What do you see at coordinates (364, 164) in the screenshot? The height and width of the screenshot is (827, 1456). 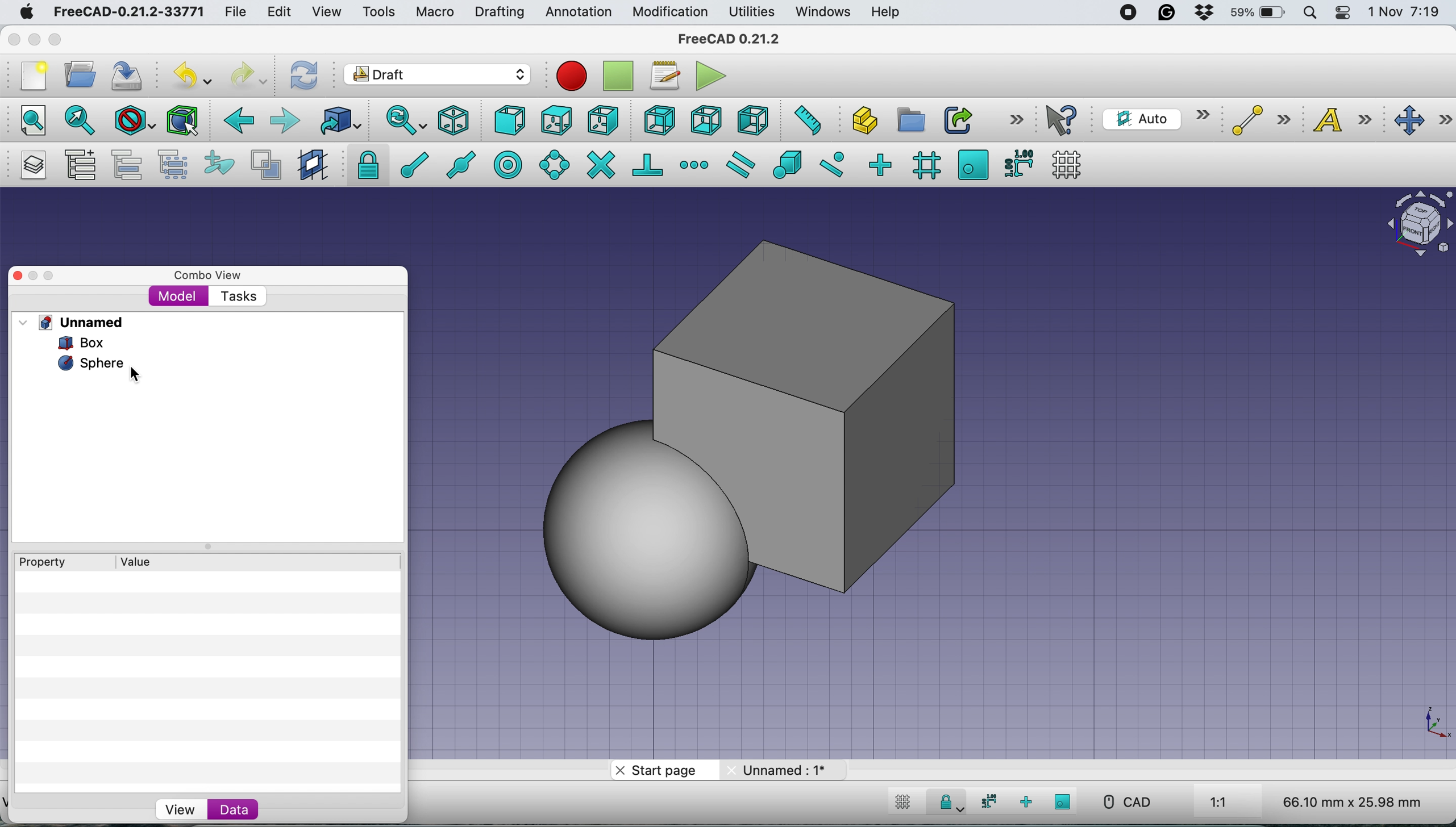 I see `snap lock` at bounding box center [364, 164].